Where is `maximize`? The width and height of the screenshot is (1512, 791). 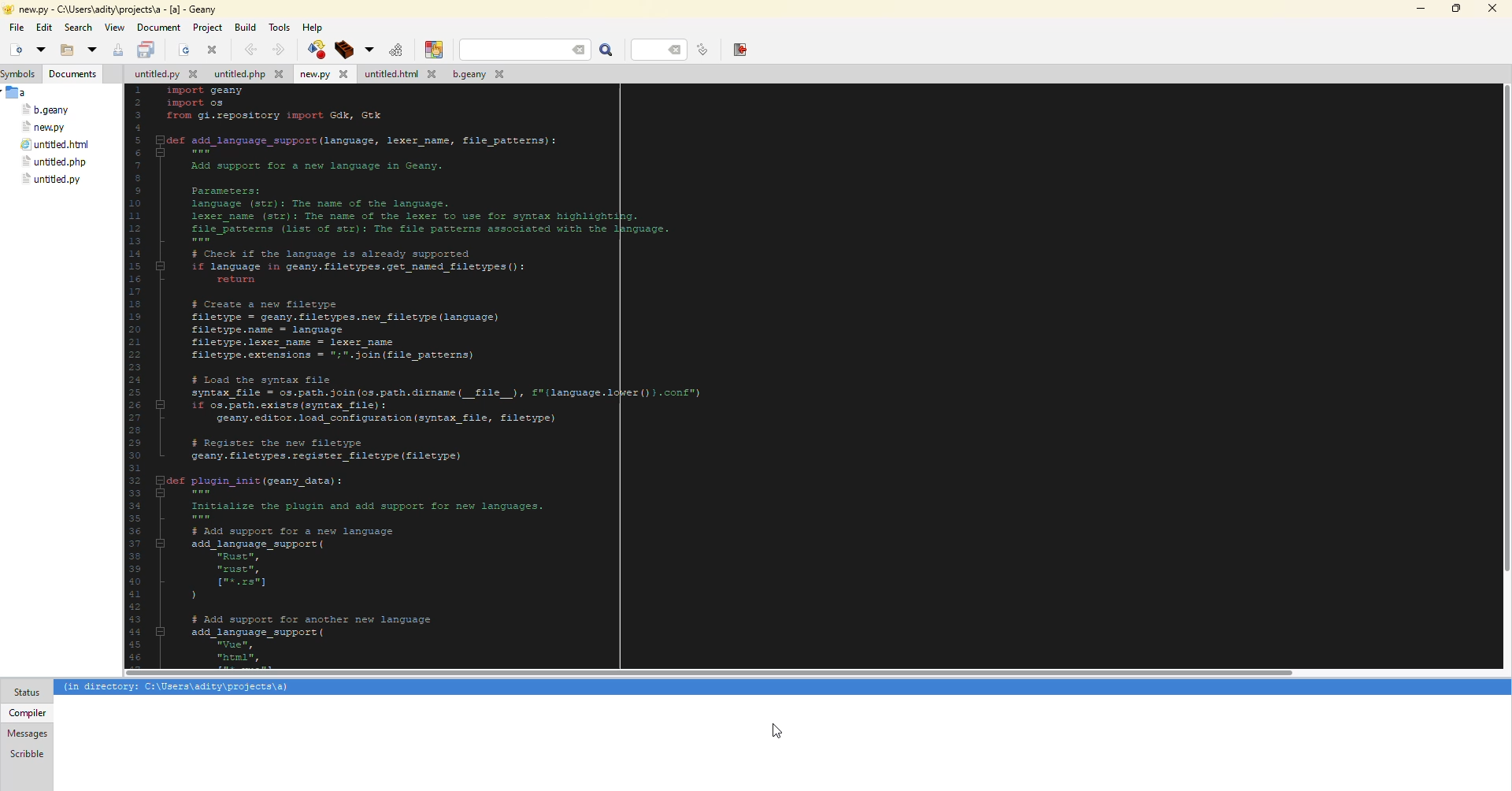 maximize is located at coordinates (1454, 8).